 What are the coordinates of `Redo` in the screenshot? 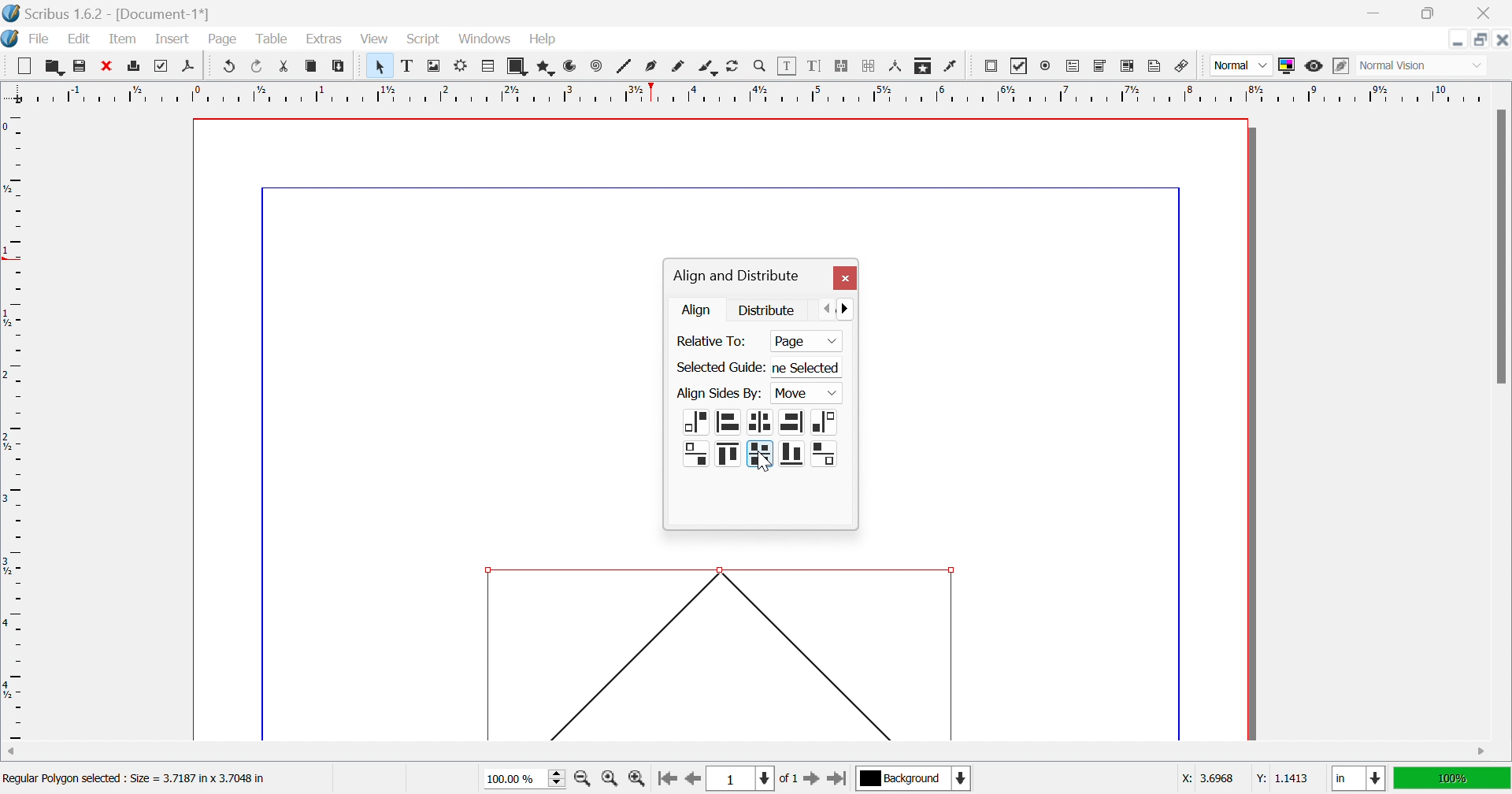 It's located at (258, 65).